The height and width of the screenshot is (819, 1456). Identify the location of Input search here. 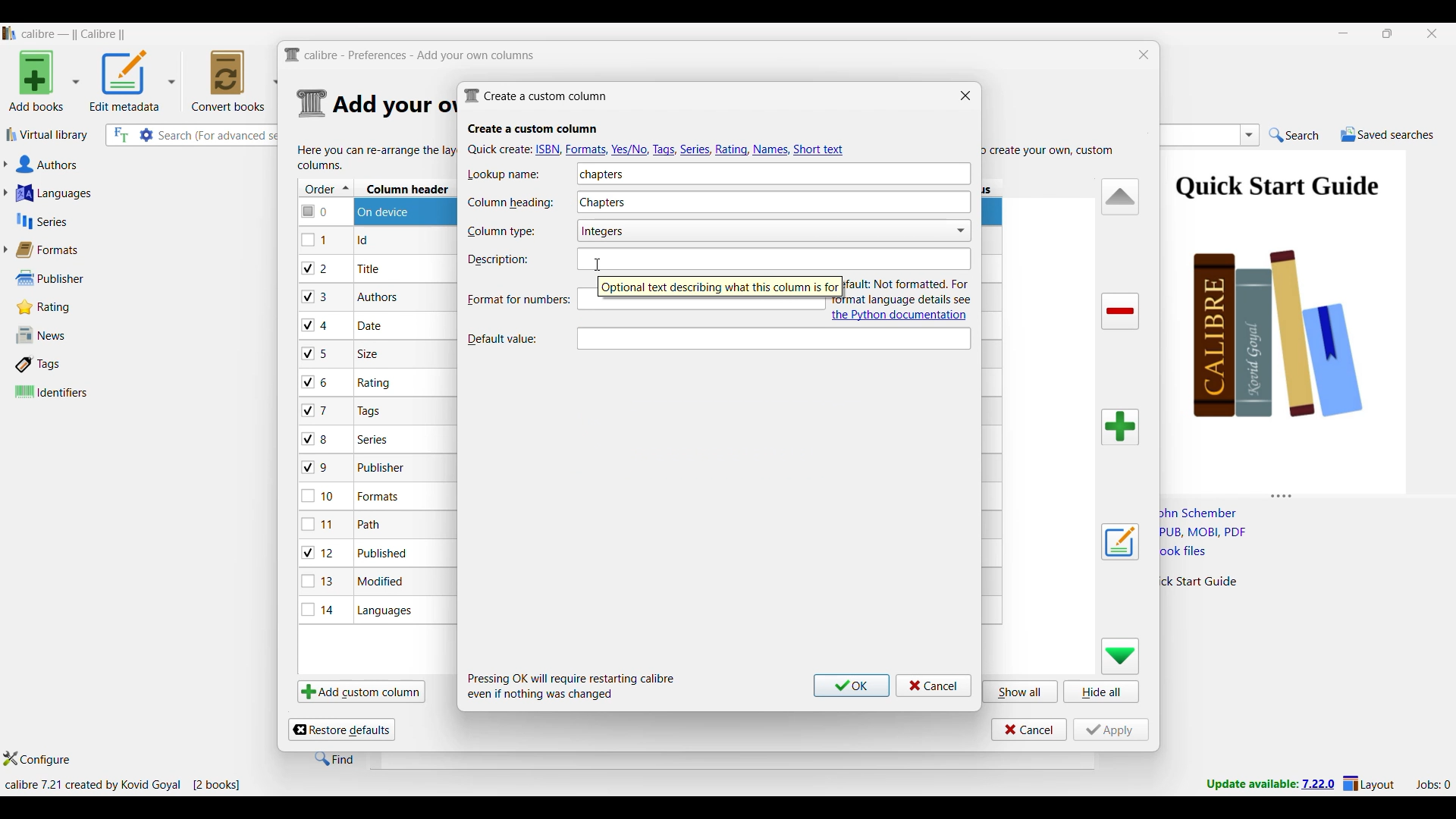
(220, 136).